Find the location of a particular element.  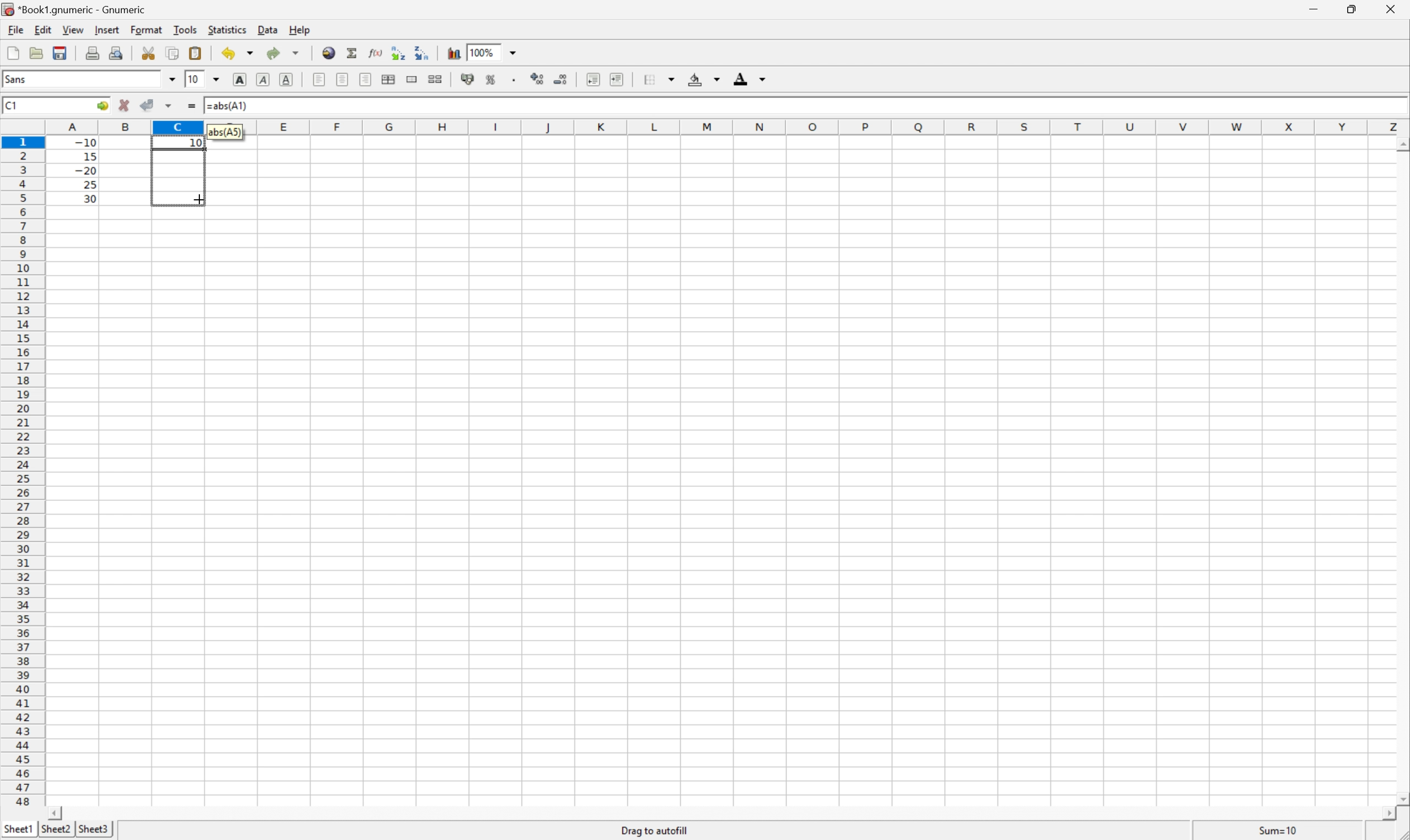

Decrease the number of decimals displayed is located at coordinates (561, 79).